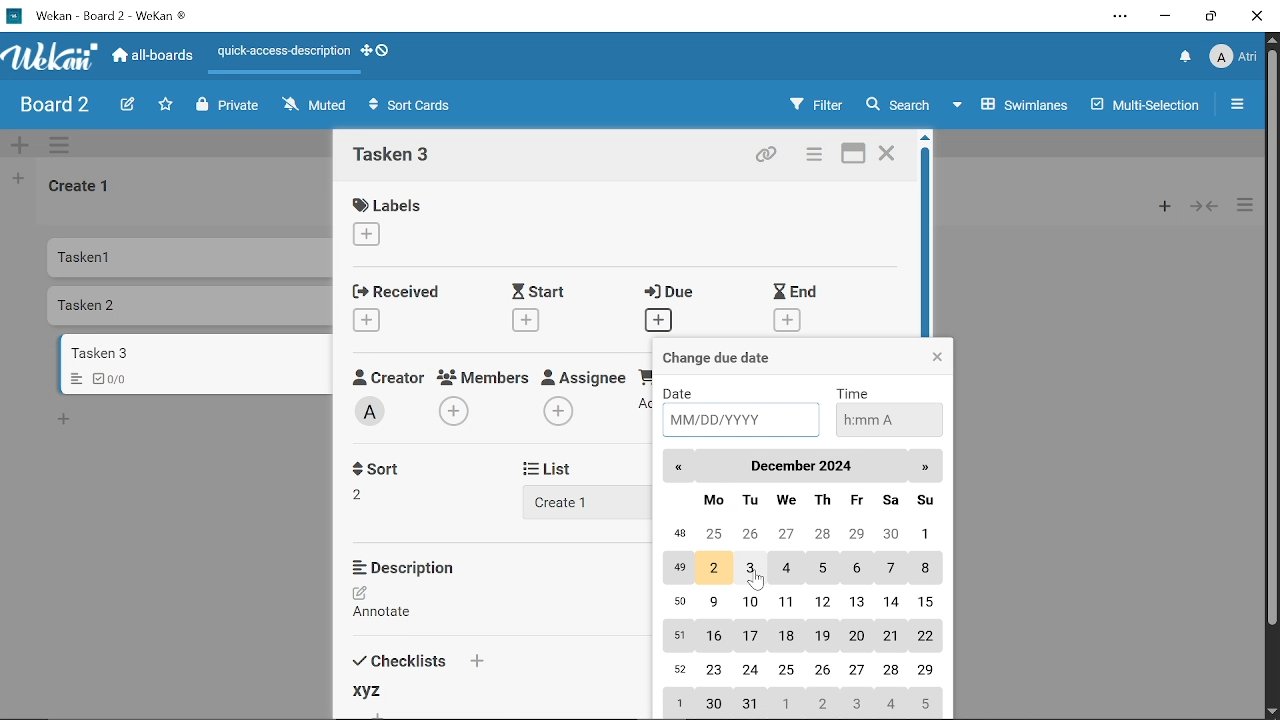 Image resolution: width=1280 pixels, height=720 pixels. I want to click on show desktop drag handles, so click(364, 53).